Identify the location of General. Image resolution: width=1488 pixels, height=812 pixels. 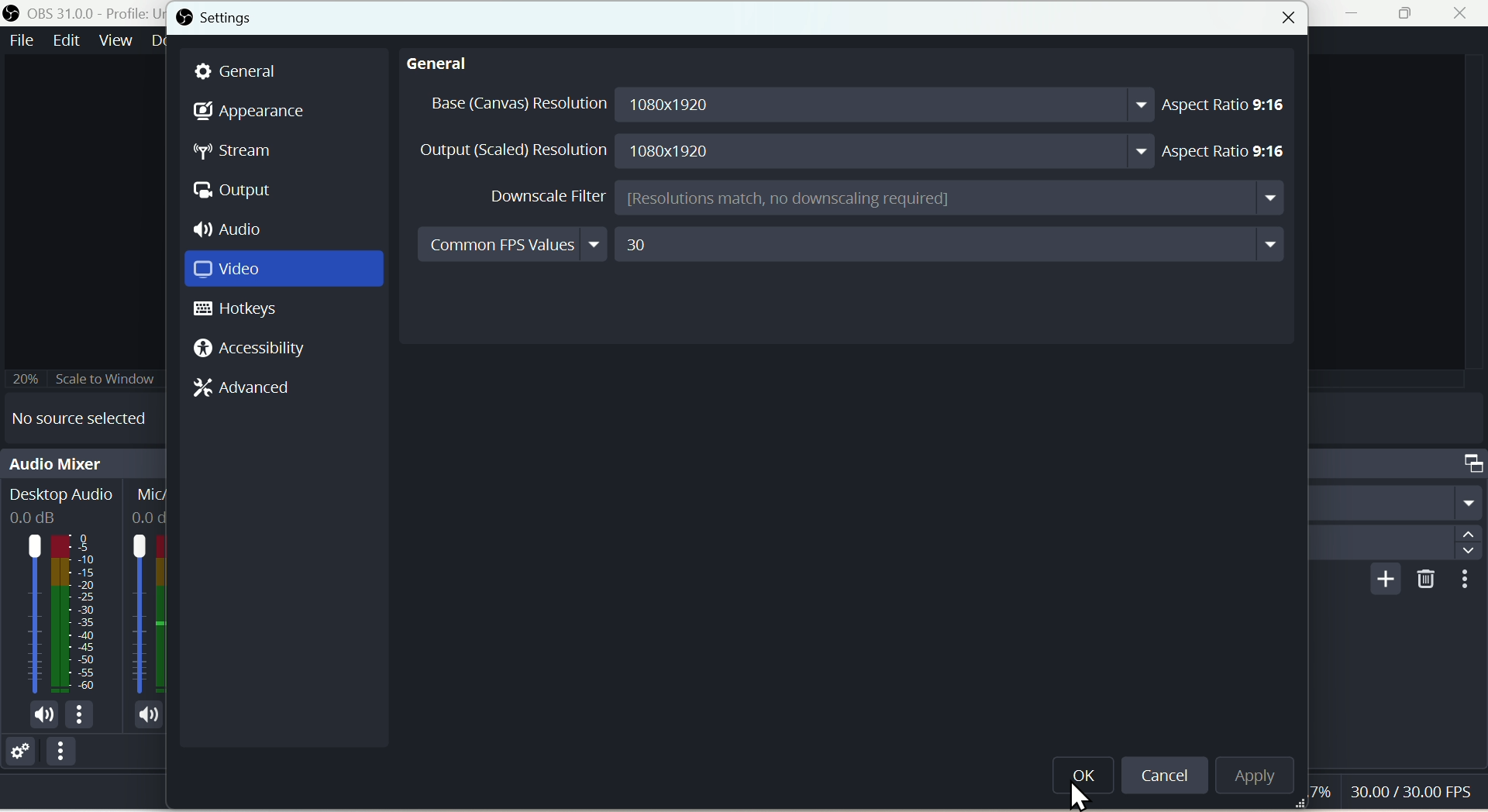
(246, 71).